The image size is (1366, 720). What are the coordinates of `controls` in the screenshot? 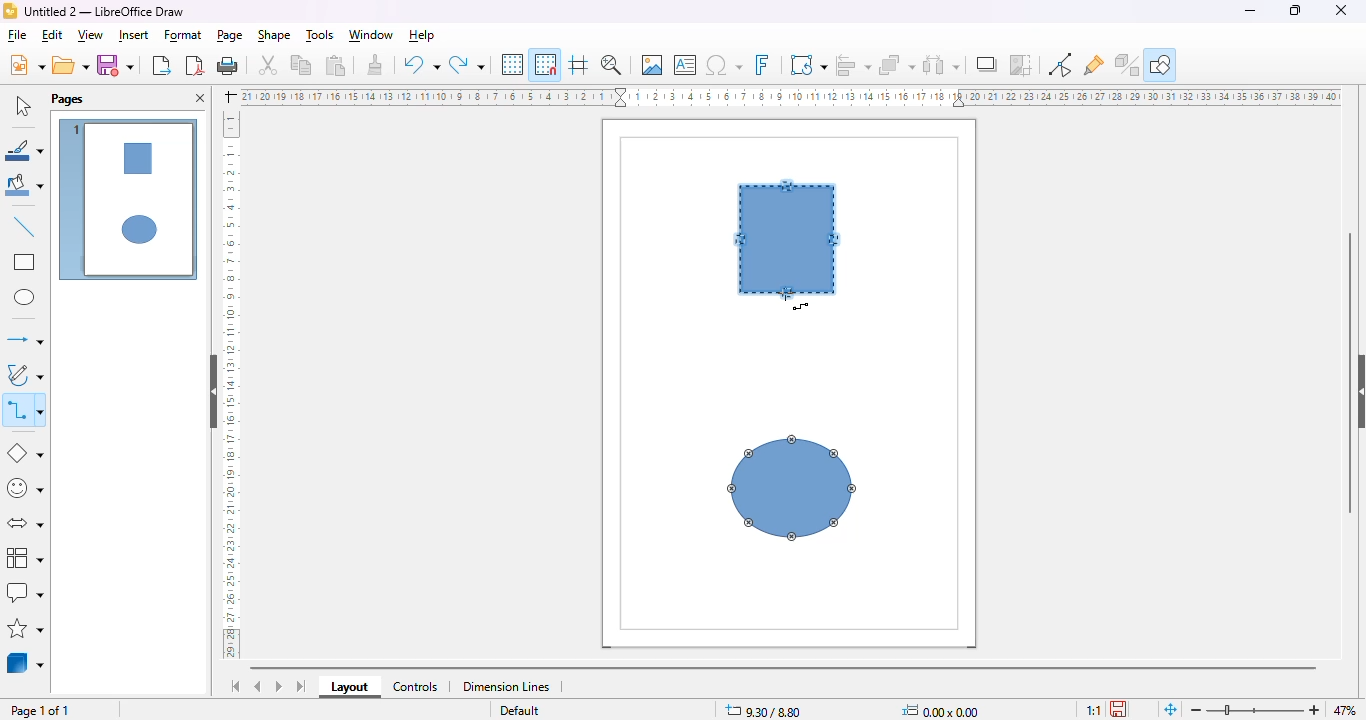 It's located at (416, 687).